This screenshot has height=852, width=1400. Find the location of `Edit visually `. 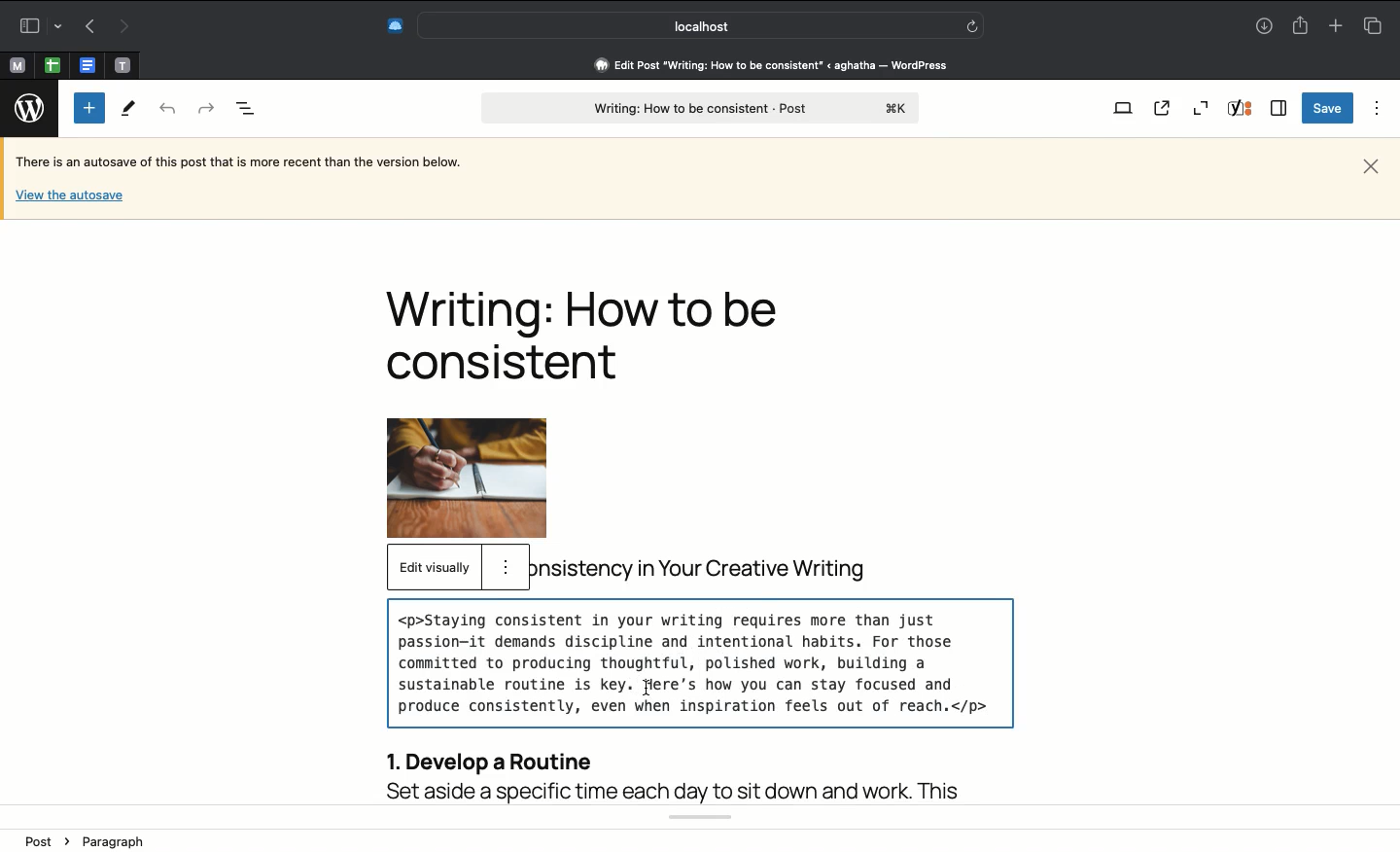

Edit visually  is located at coordinates (434, 568).